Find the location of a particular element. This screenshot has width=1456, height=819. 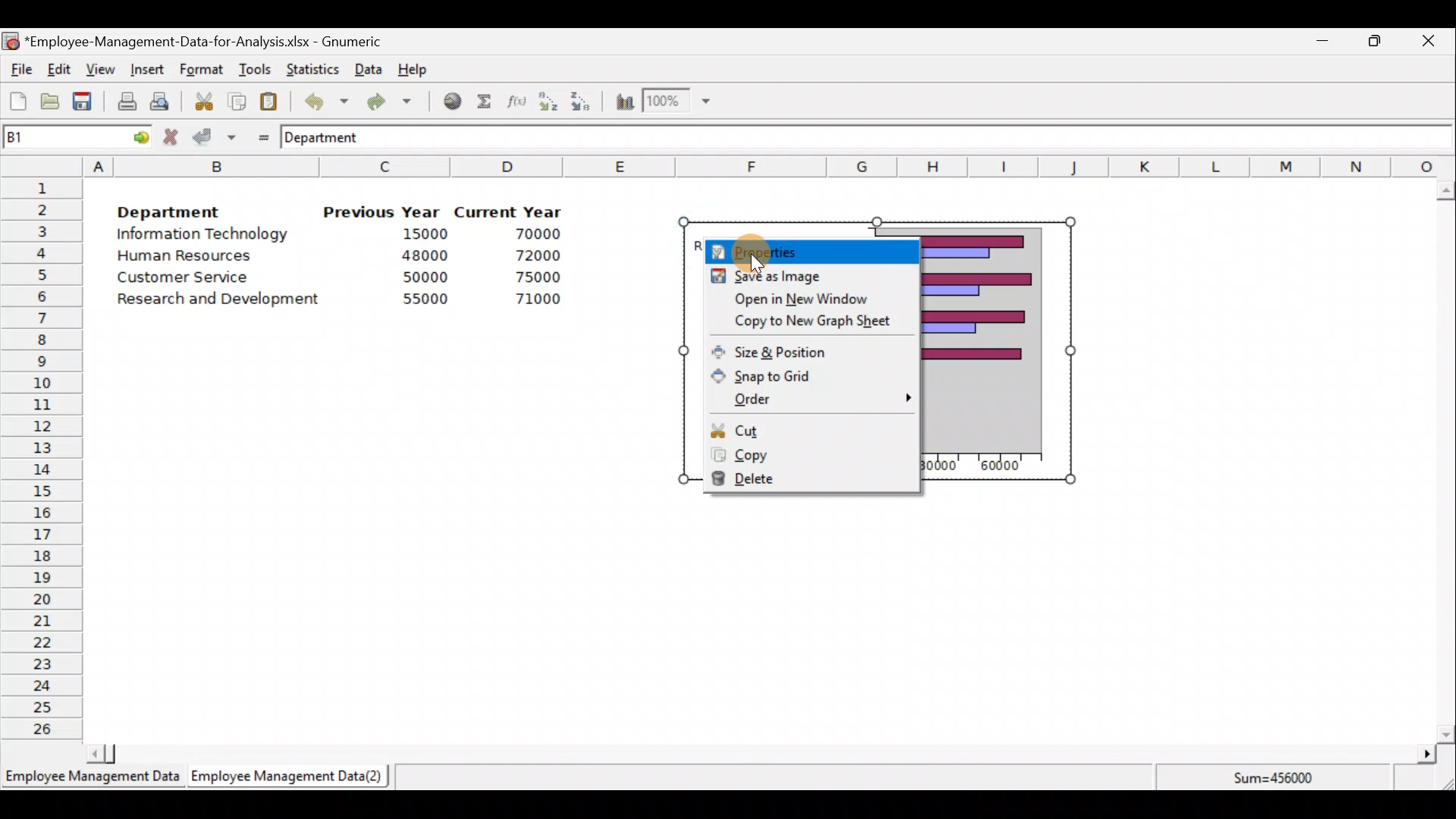

Copy the selection is located at coordinates (236, 99).